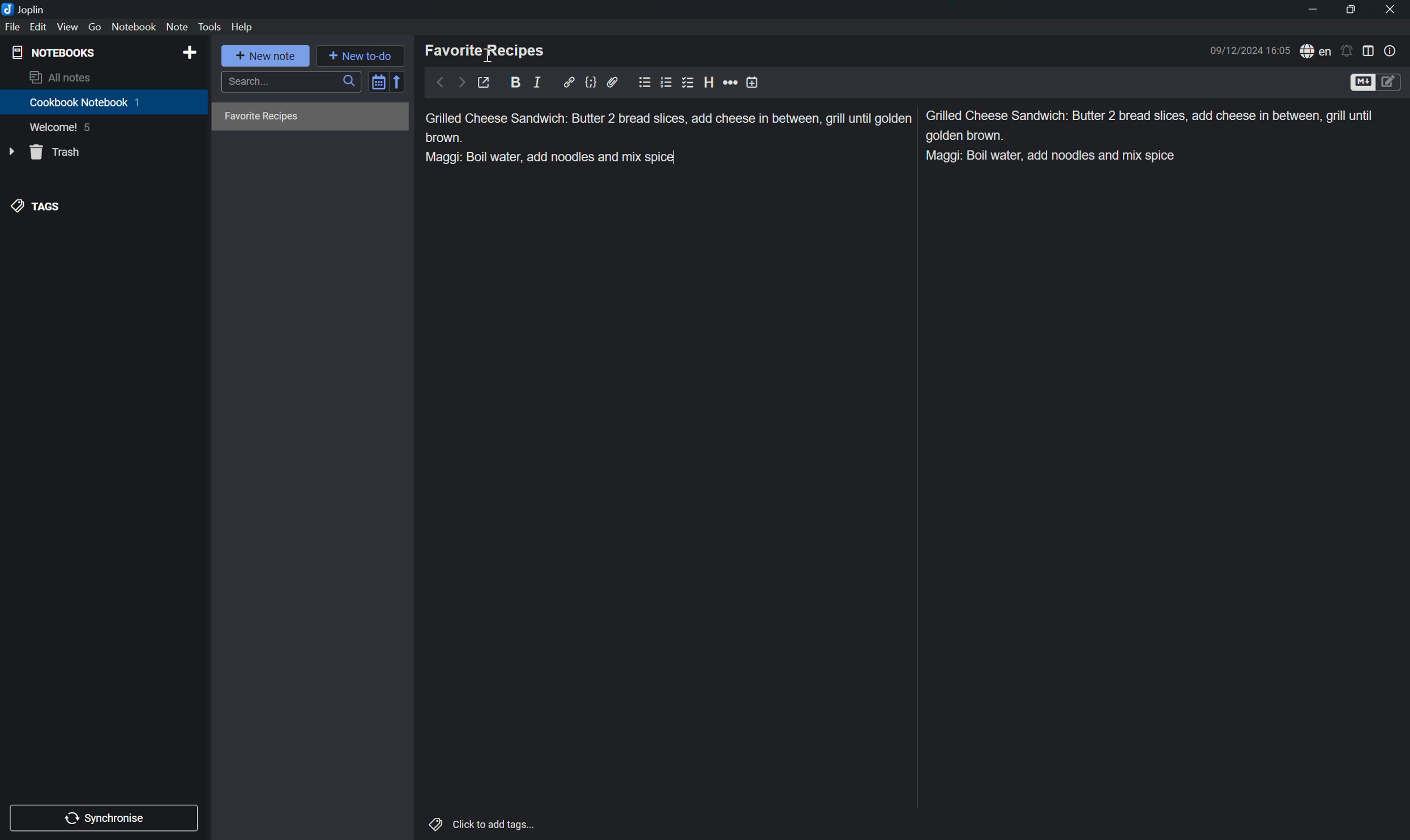  What do you see at coordinates (243, 28) in the screenshot?
I see `Help` at bounding box center [243, 28].